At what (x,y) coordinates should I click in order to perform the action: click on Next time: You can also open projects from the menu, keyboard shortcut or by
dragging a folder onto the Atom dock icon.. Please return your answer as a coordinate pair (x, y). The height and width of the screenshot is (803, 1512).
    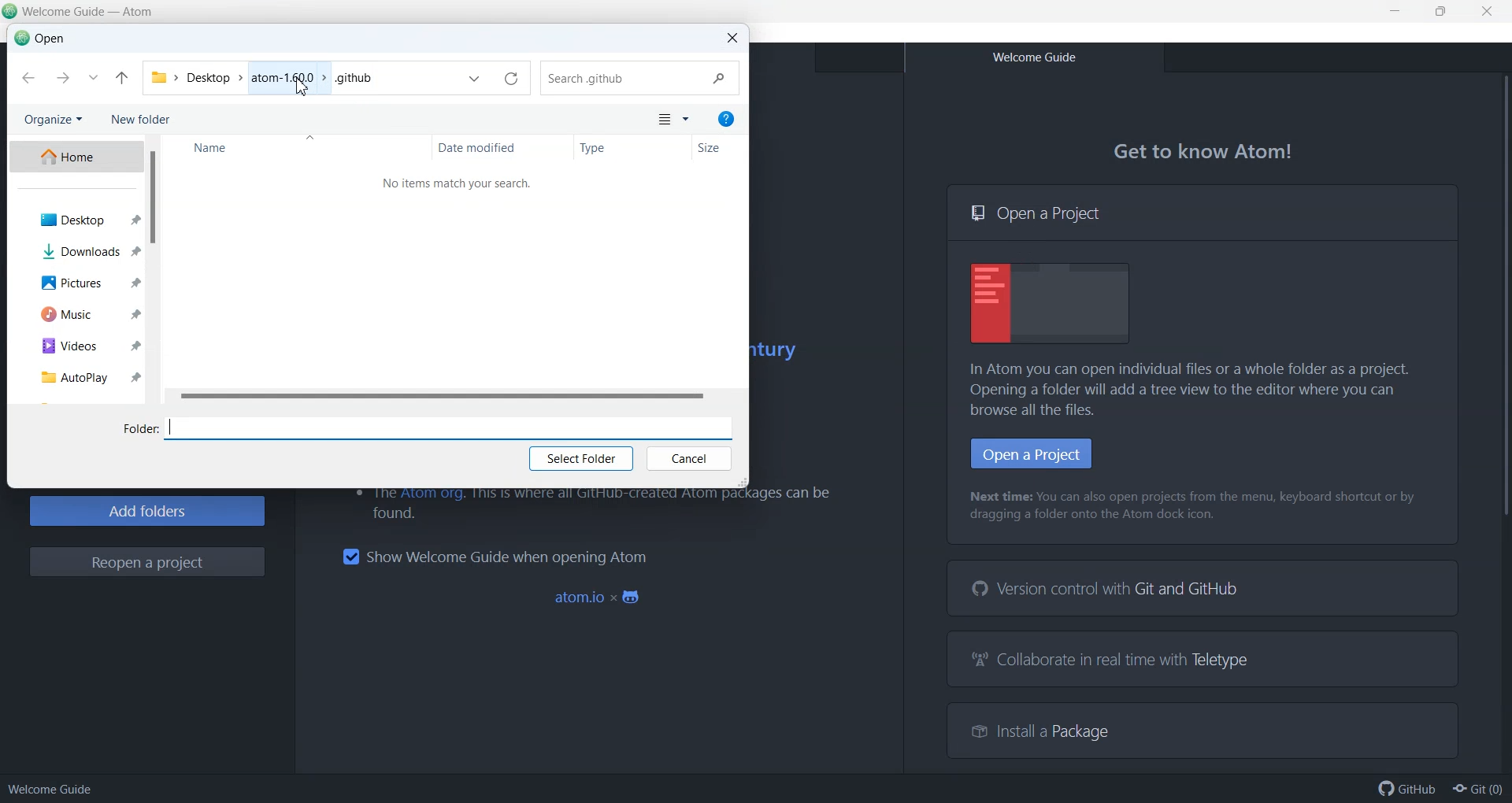
    Looking at the image, I should click on (1195, 507).